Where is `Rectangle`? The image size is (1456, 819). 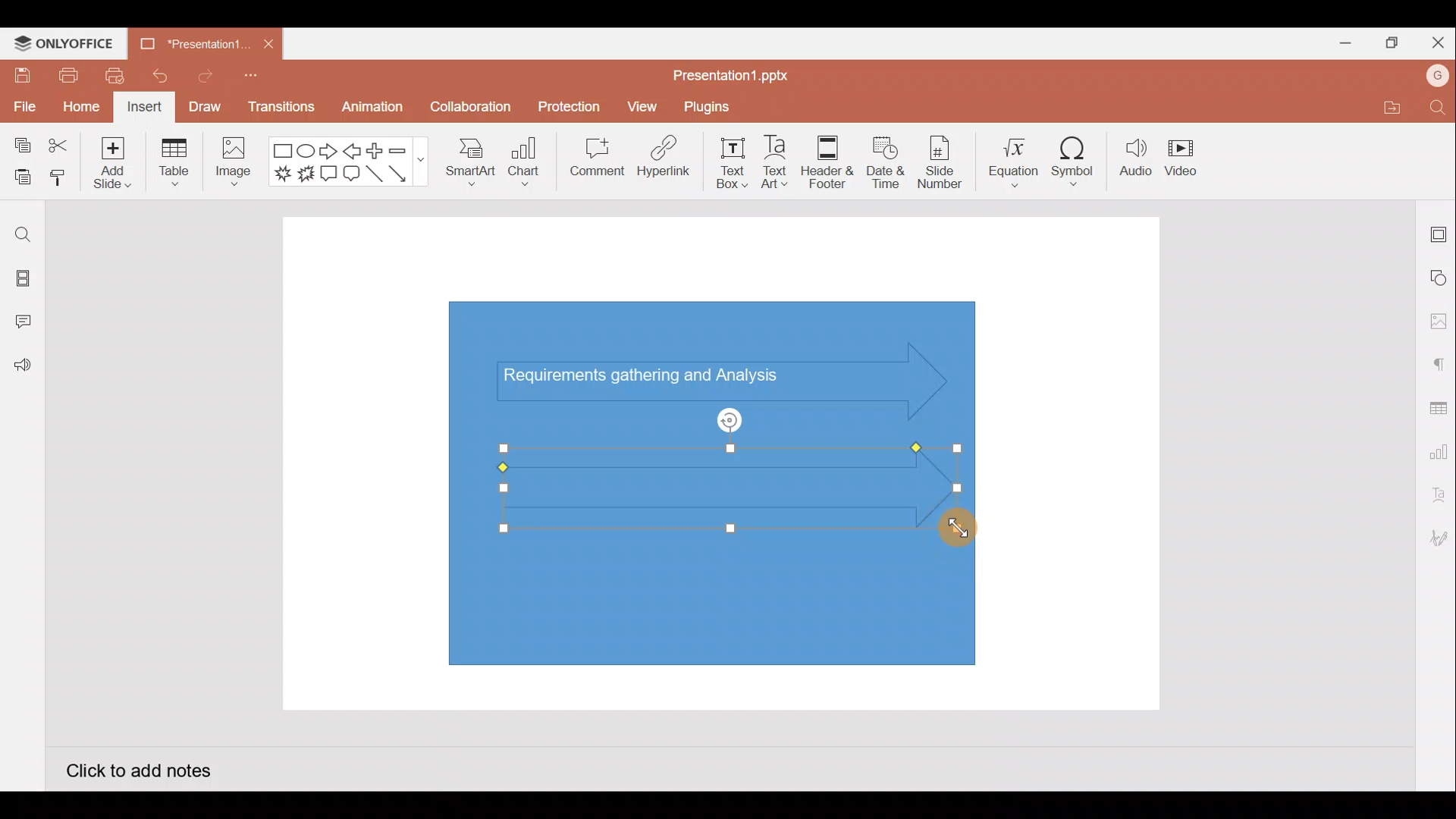
Rectangle is located at coordinates (284, 152).